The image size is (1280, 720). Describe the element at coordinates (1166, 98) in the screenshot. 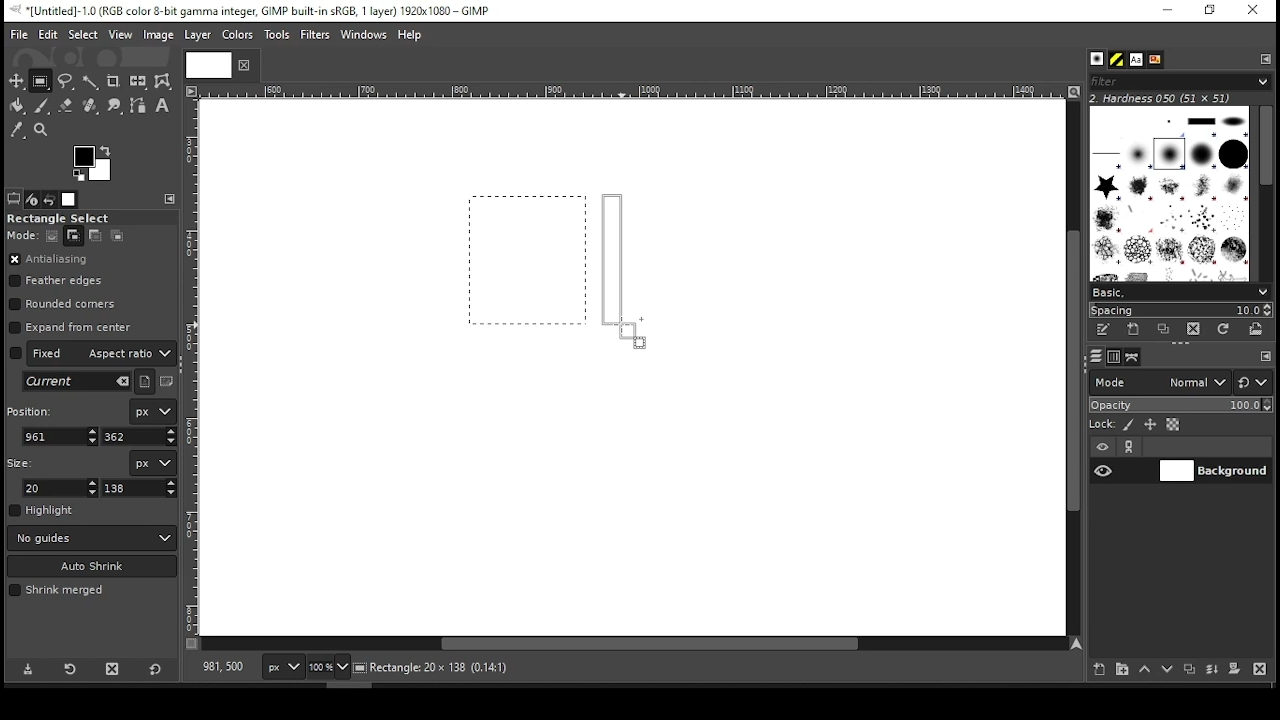

I see `2. hardness 050 (51x51)` at that location.